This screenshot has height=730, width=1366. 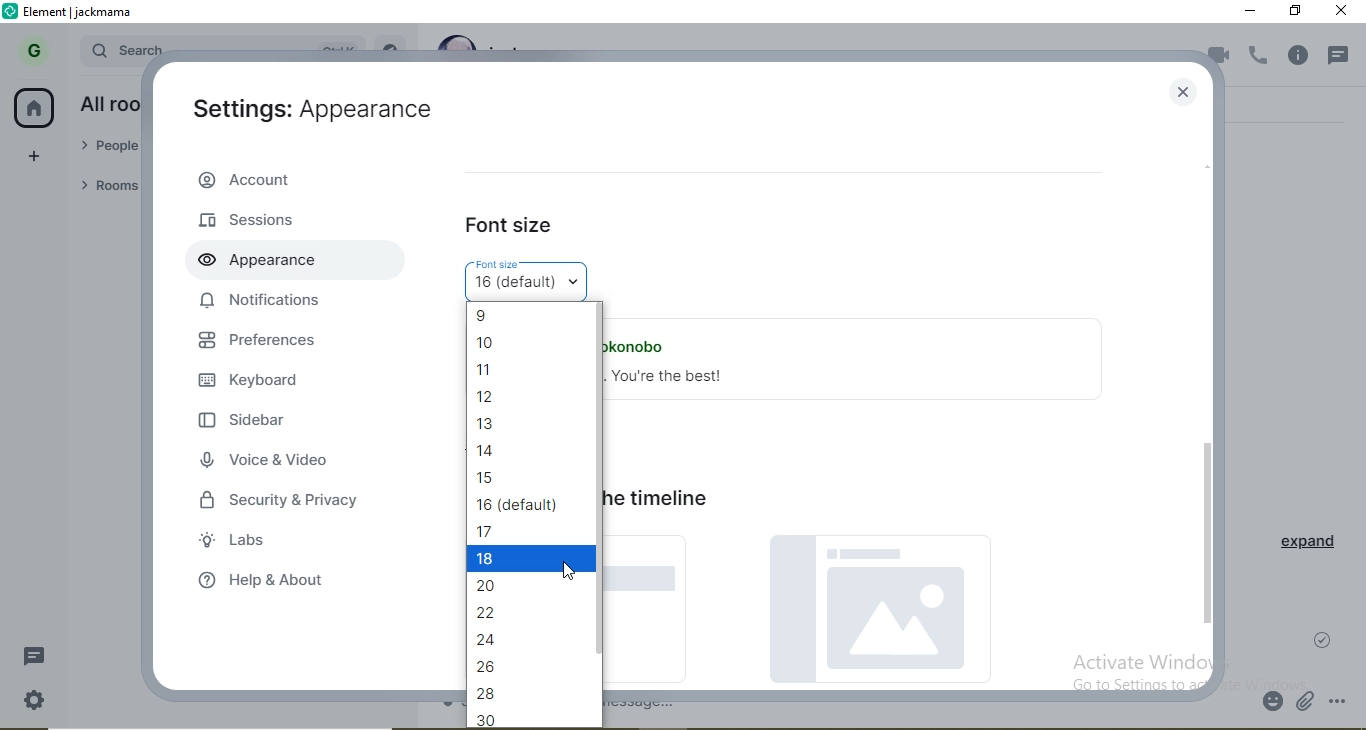 What do you see at coordinates (1307, 704) in the screenshot?
I see `attachment` at bounding box center [1307, 704].